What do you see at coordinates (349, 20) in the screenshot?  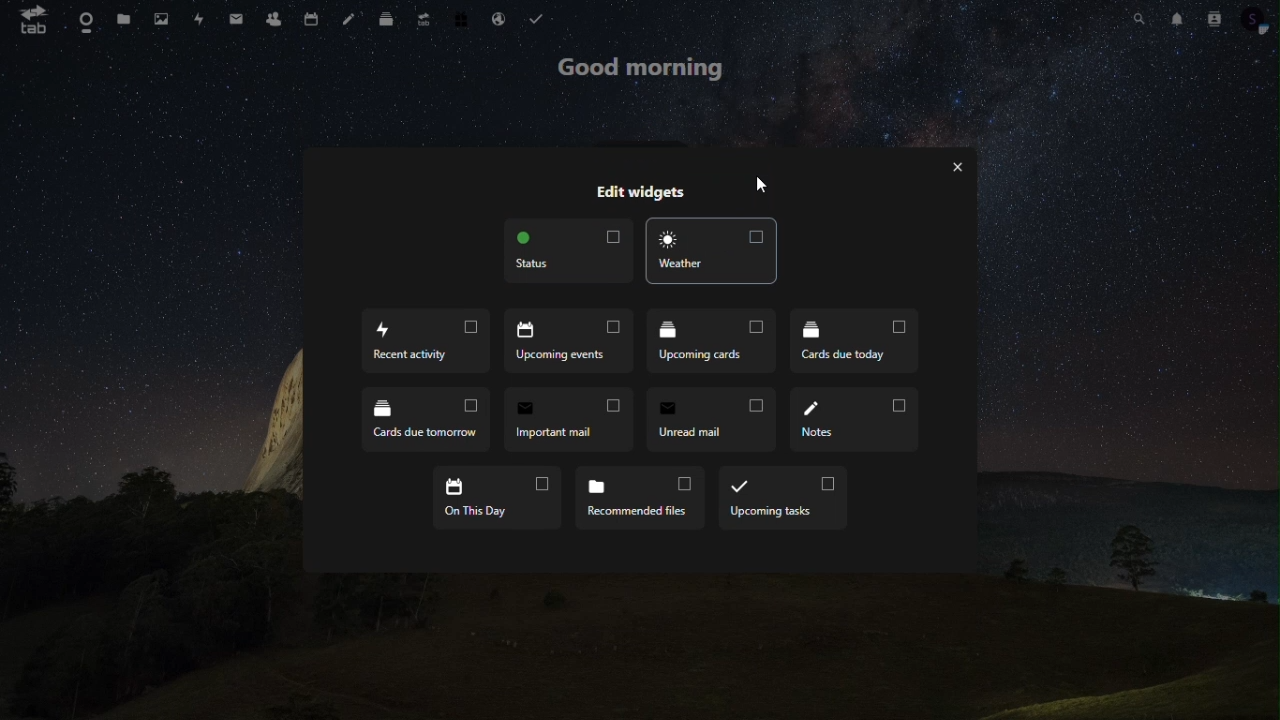 I see `note` at bounding box center [349, 20].